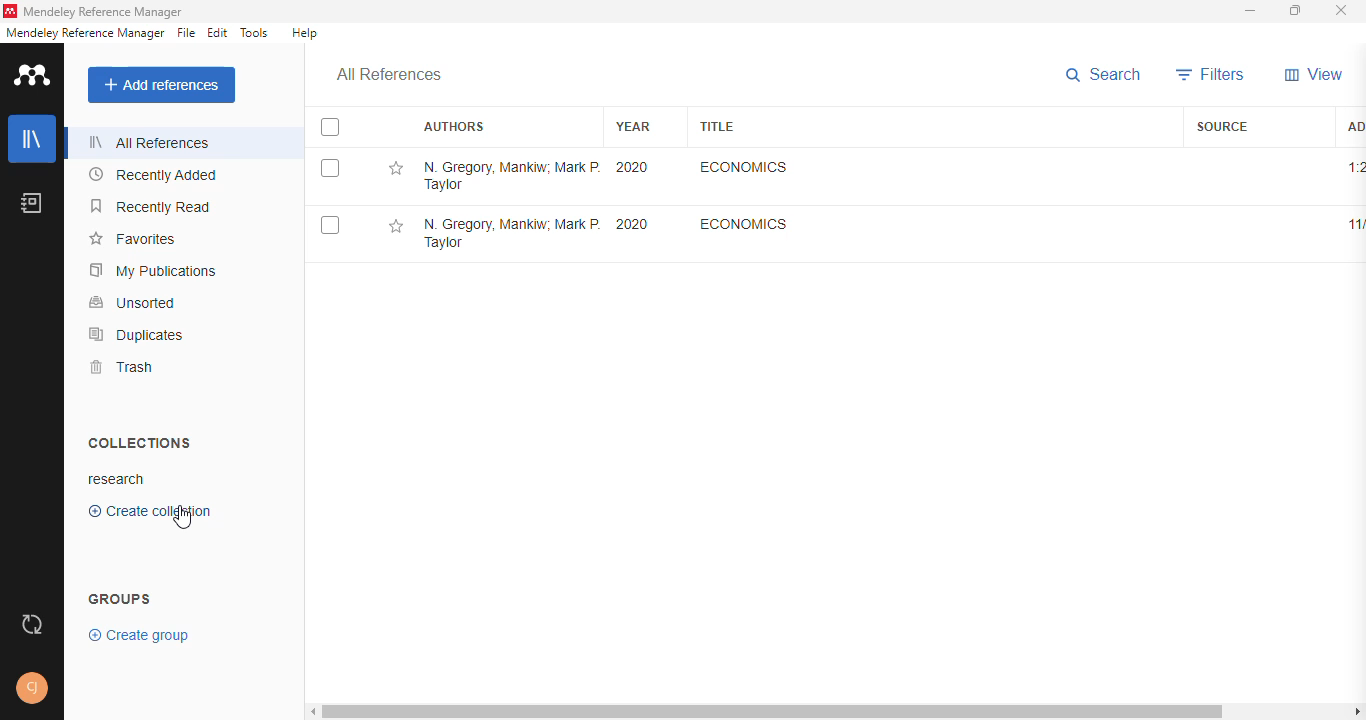 The image size is (1366, 720). What do you see at coordinates (133, 302) in the screenshot?
I see `unsorted` at bounding box center [133, 302].